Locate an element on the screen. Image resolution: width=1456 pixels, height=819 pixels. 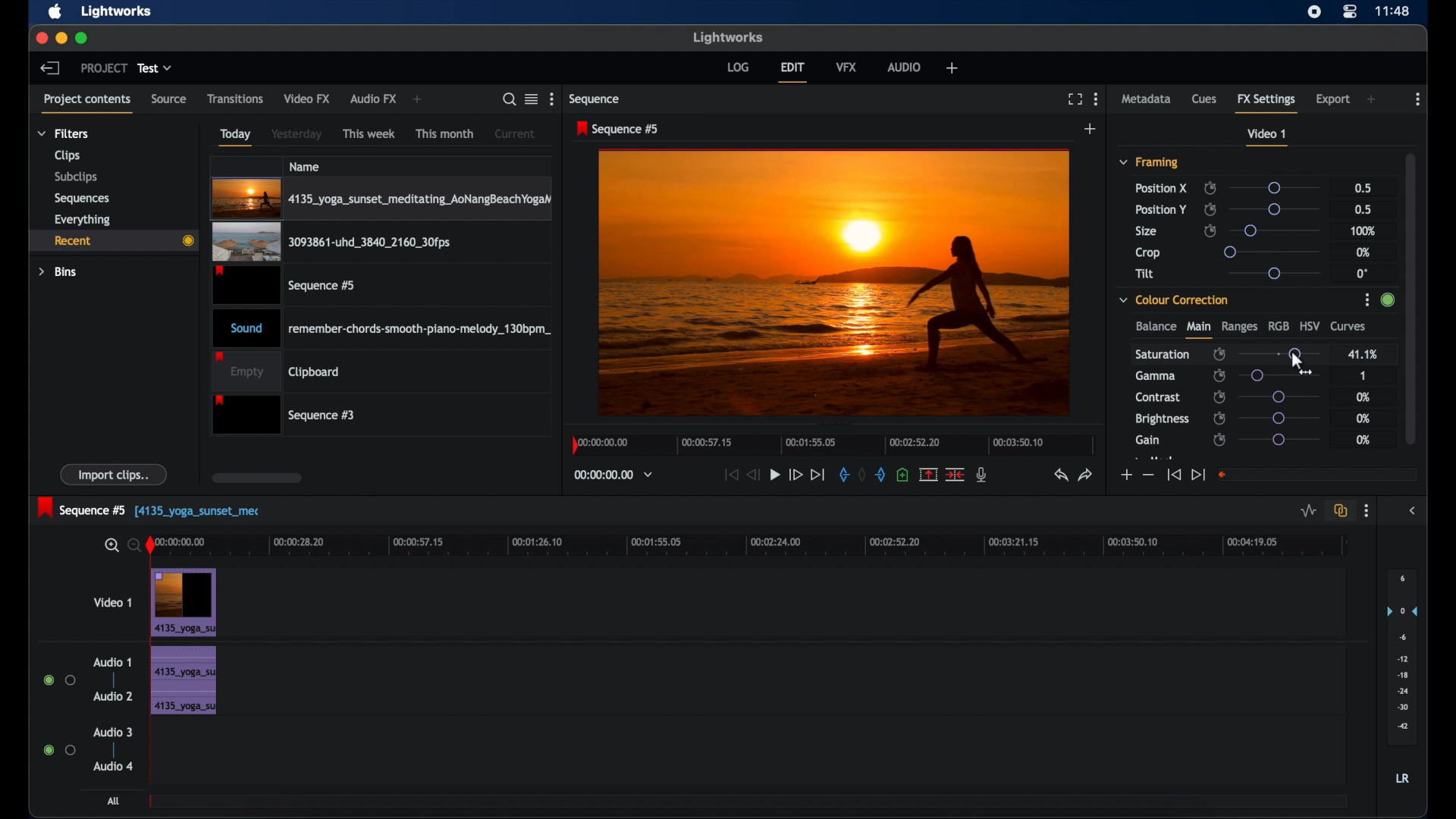
scroll box is located at coordinates (256, 478).